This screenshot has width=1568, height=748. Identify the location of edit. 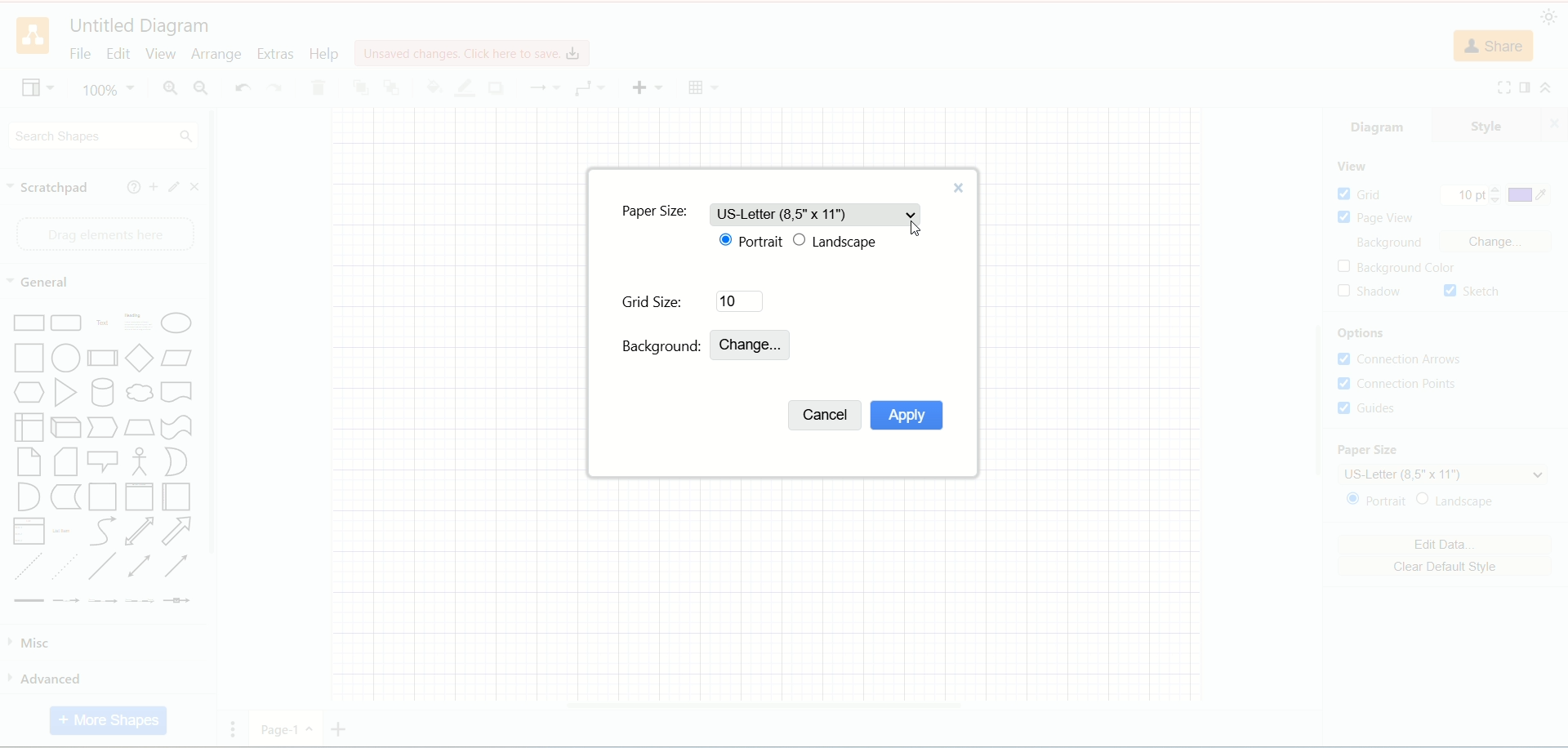
(171, 187).